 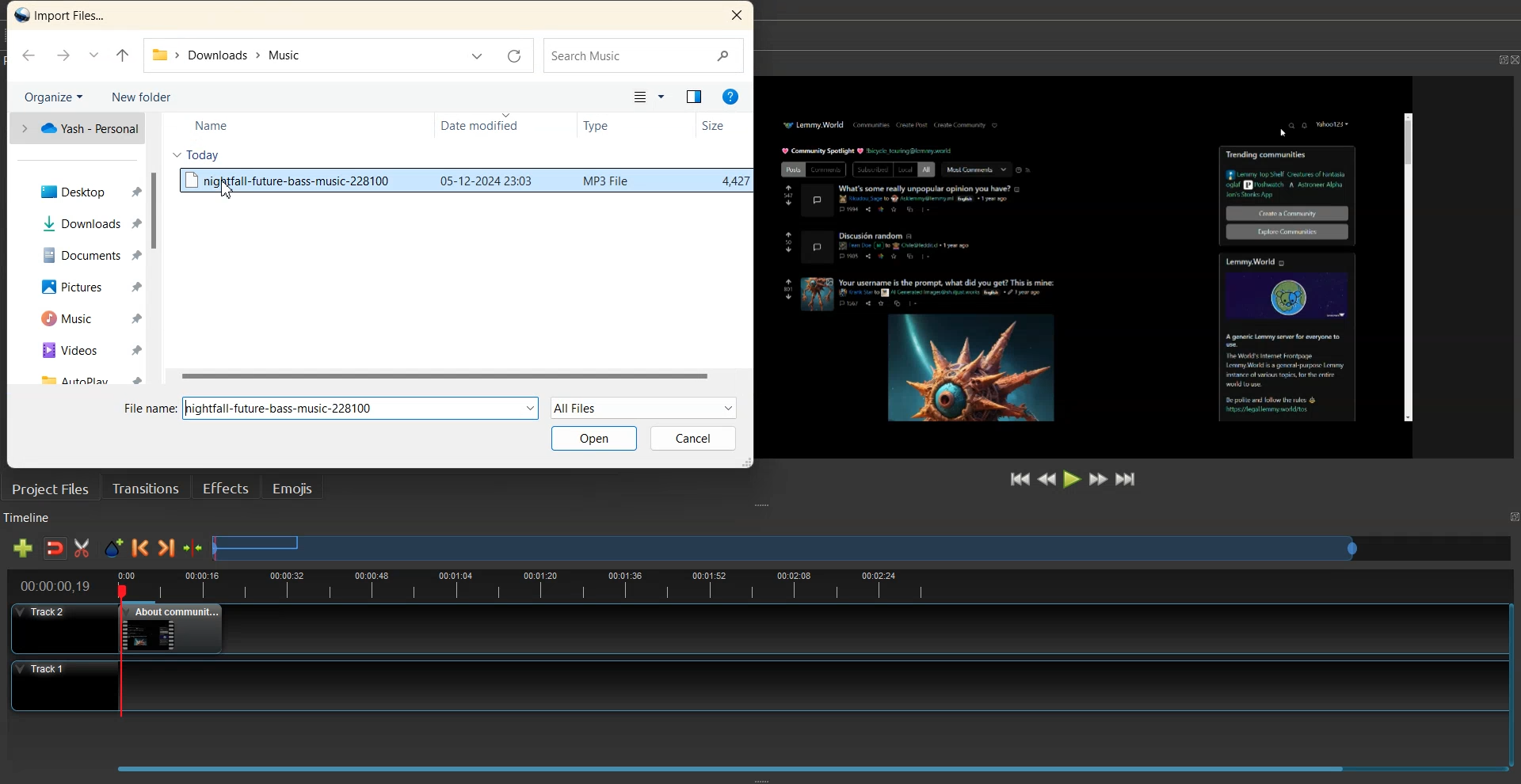 I want to click on Close, so click(x=736, y=16).